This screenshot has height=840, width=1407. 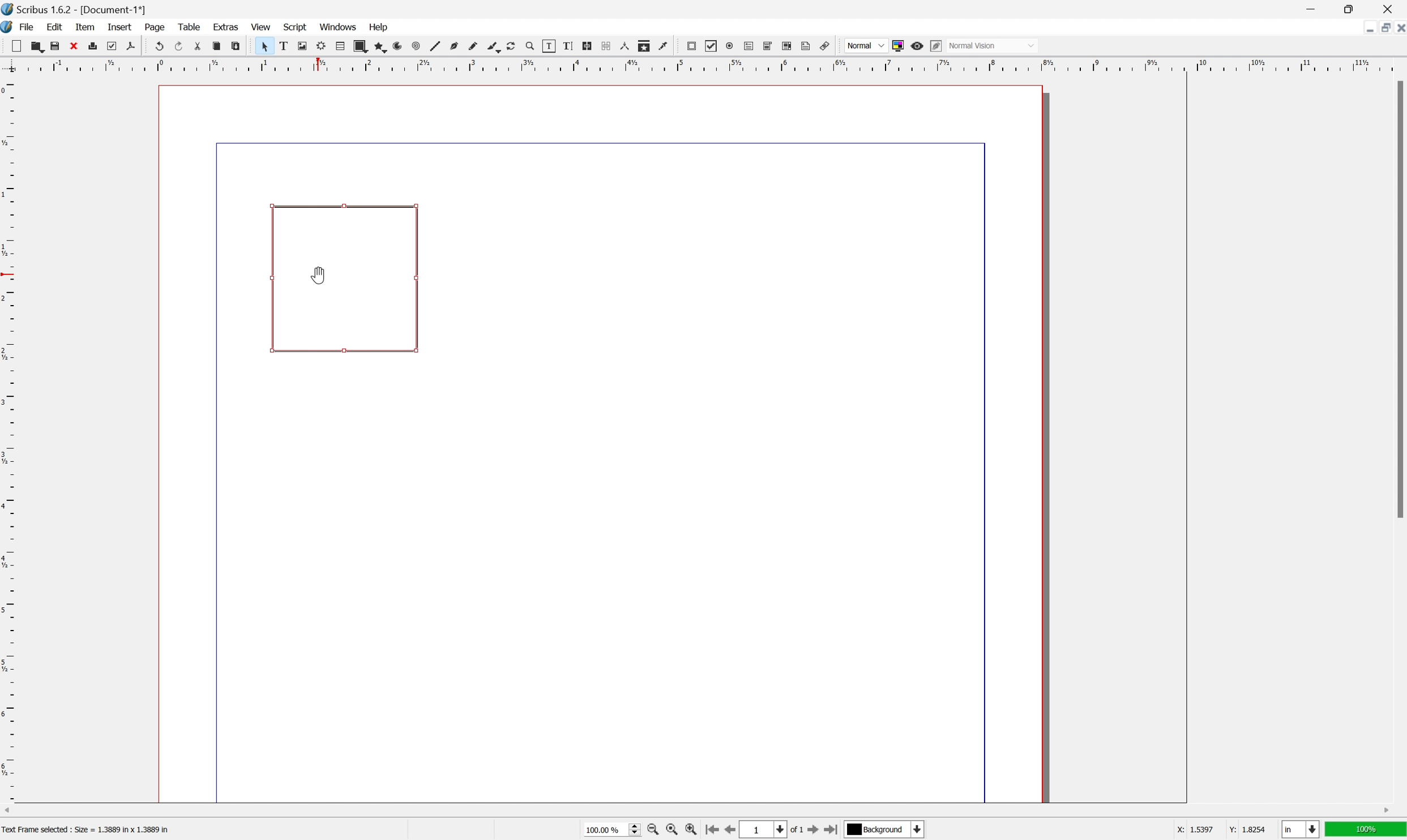 I want to click on preview mode, so click(x=916, y=45).